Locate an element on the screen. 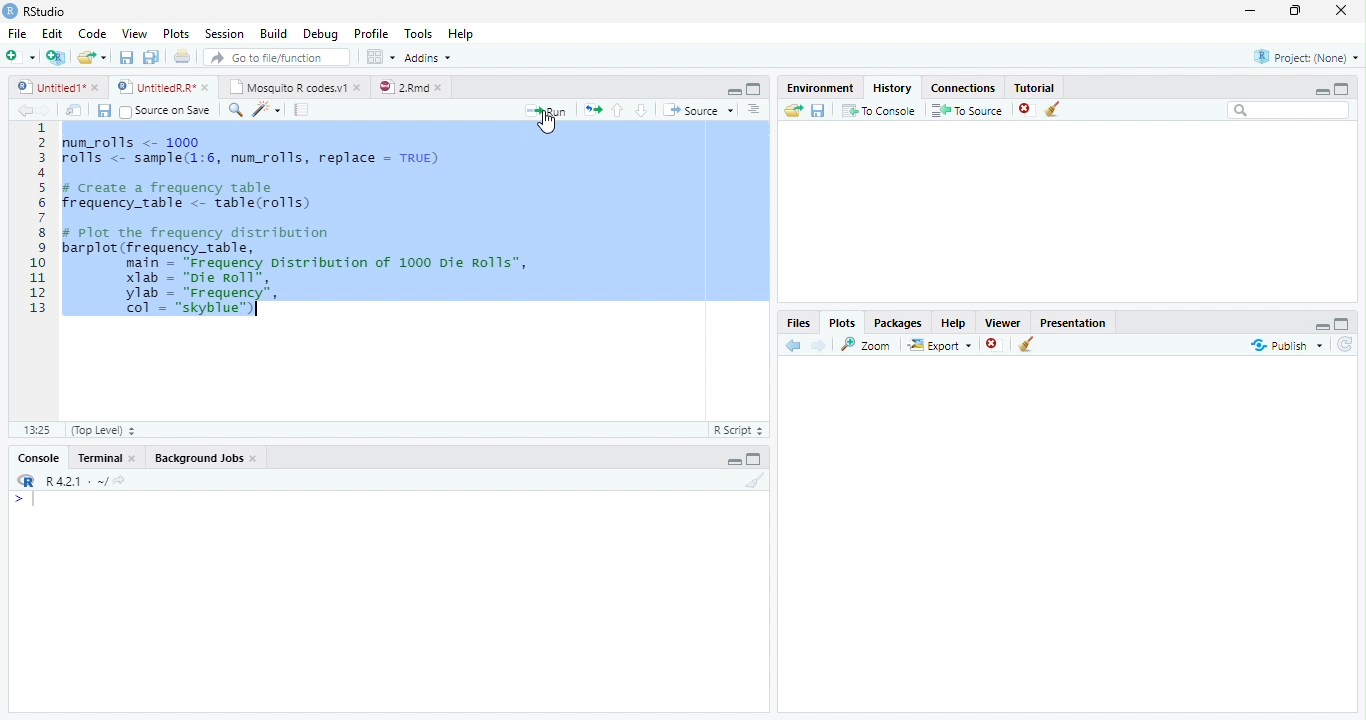  Edit is located at coordinates (53, 31).